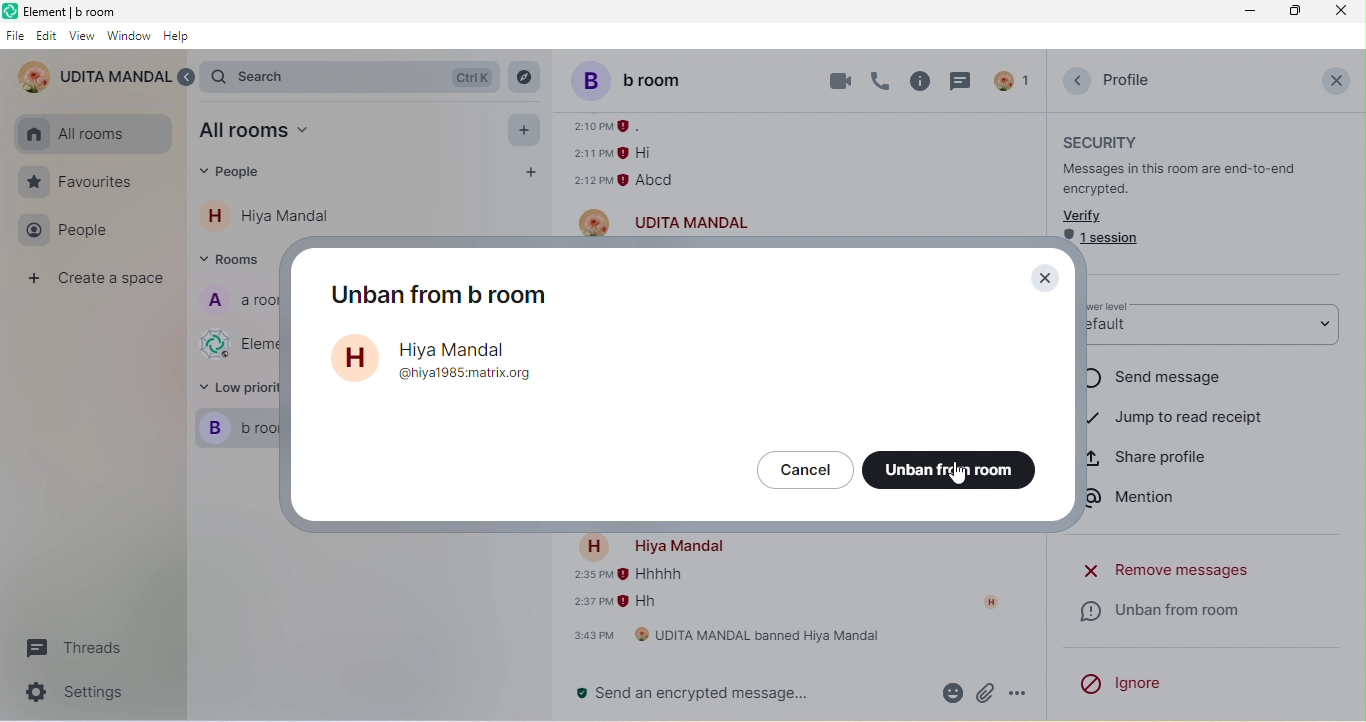 This screenshot has height=722, width=1366. I want to click on settings, so click(85, 692).